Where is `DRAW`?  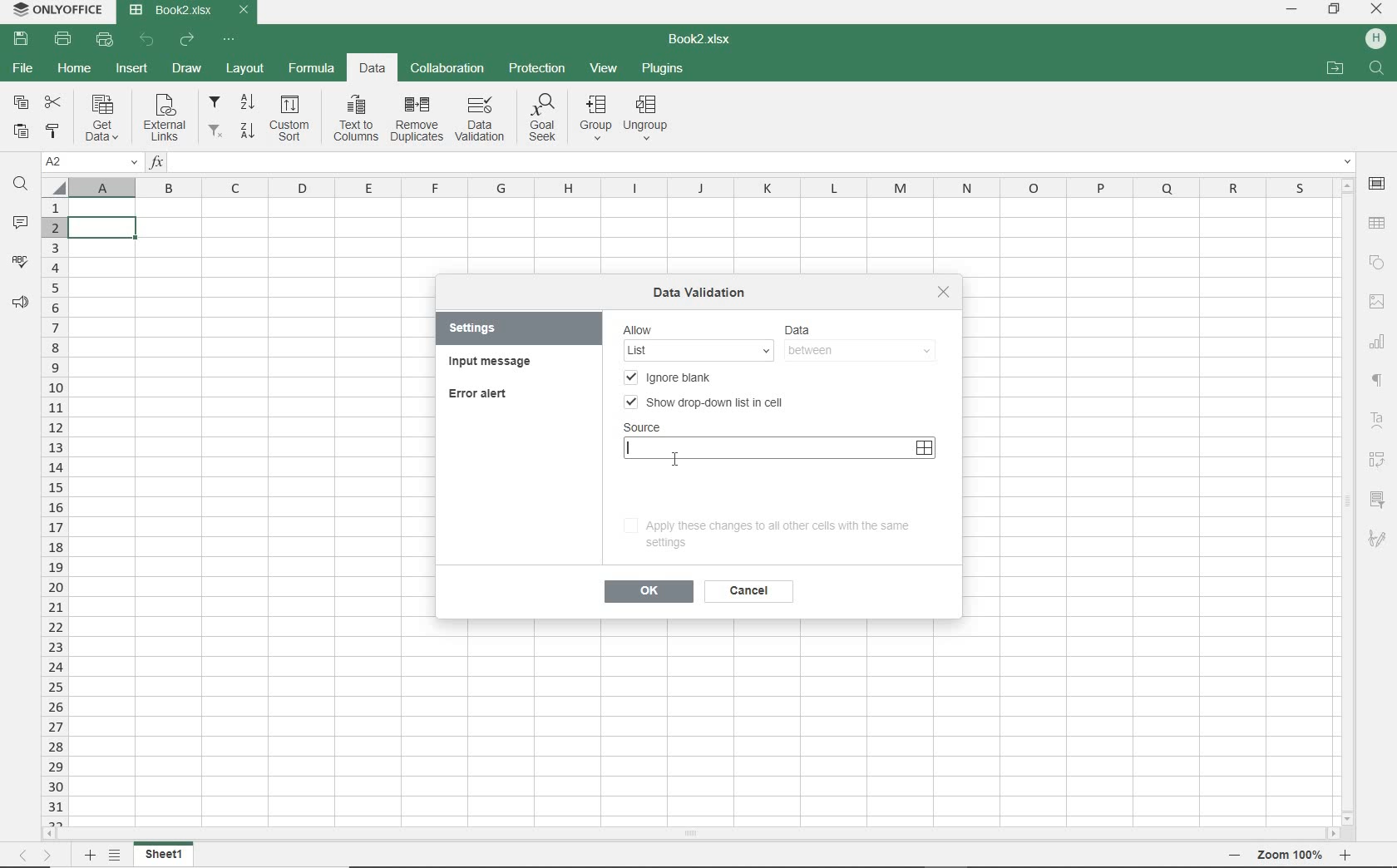 DRAW is located at coordinates (187, 68).